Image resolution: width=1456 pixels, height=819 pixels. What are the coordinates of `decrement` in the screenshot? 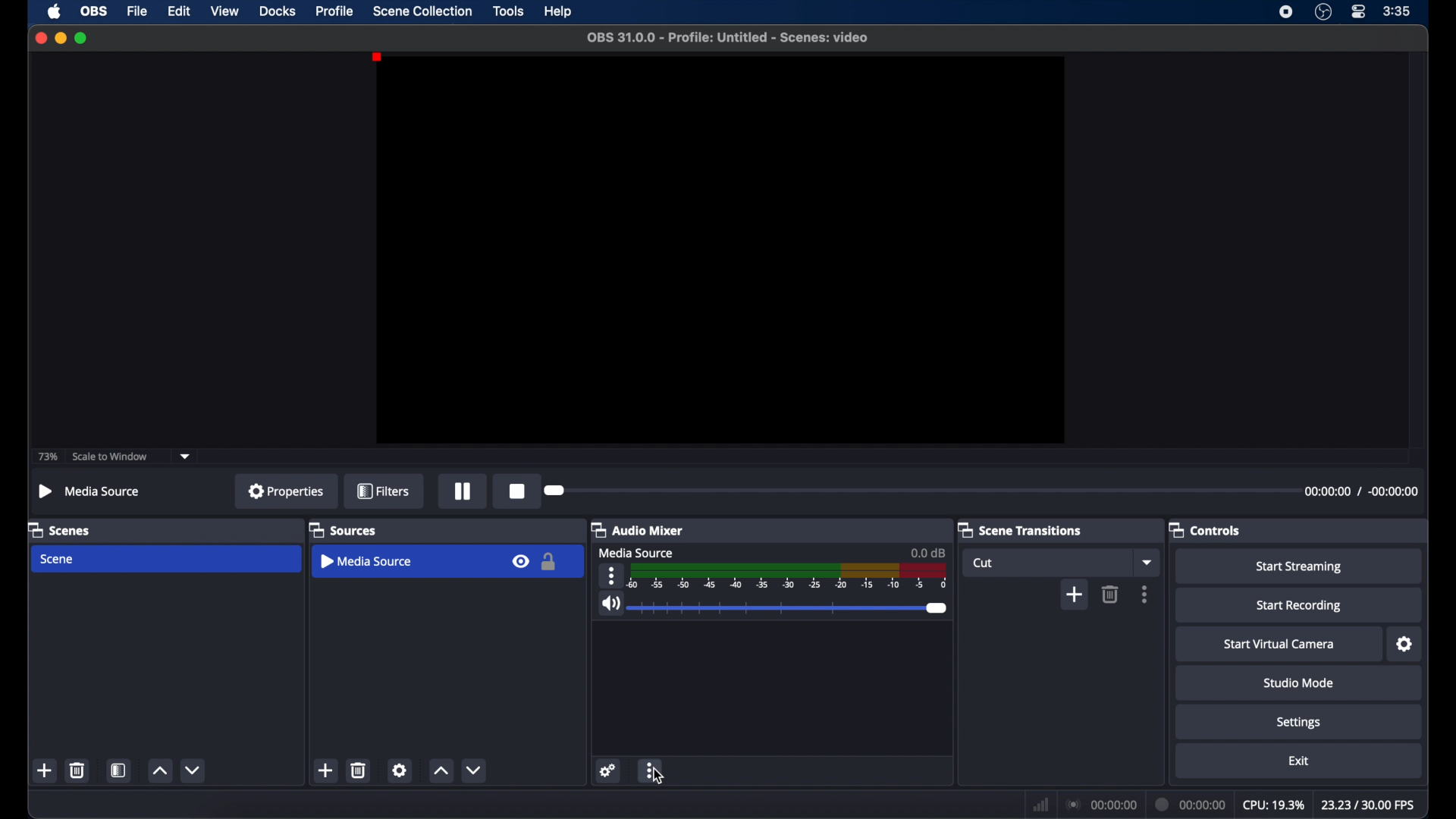 It's located at (474, 770).